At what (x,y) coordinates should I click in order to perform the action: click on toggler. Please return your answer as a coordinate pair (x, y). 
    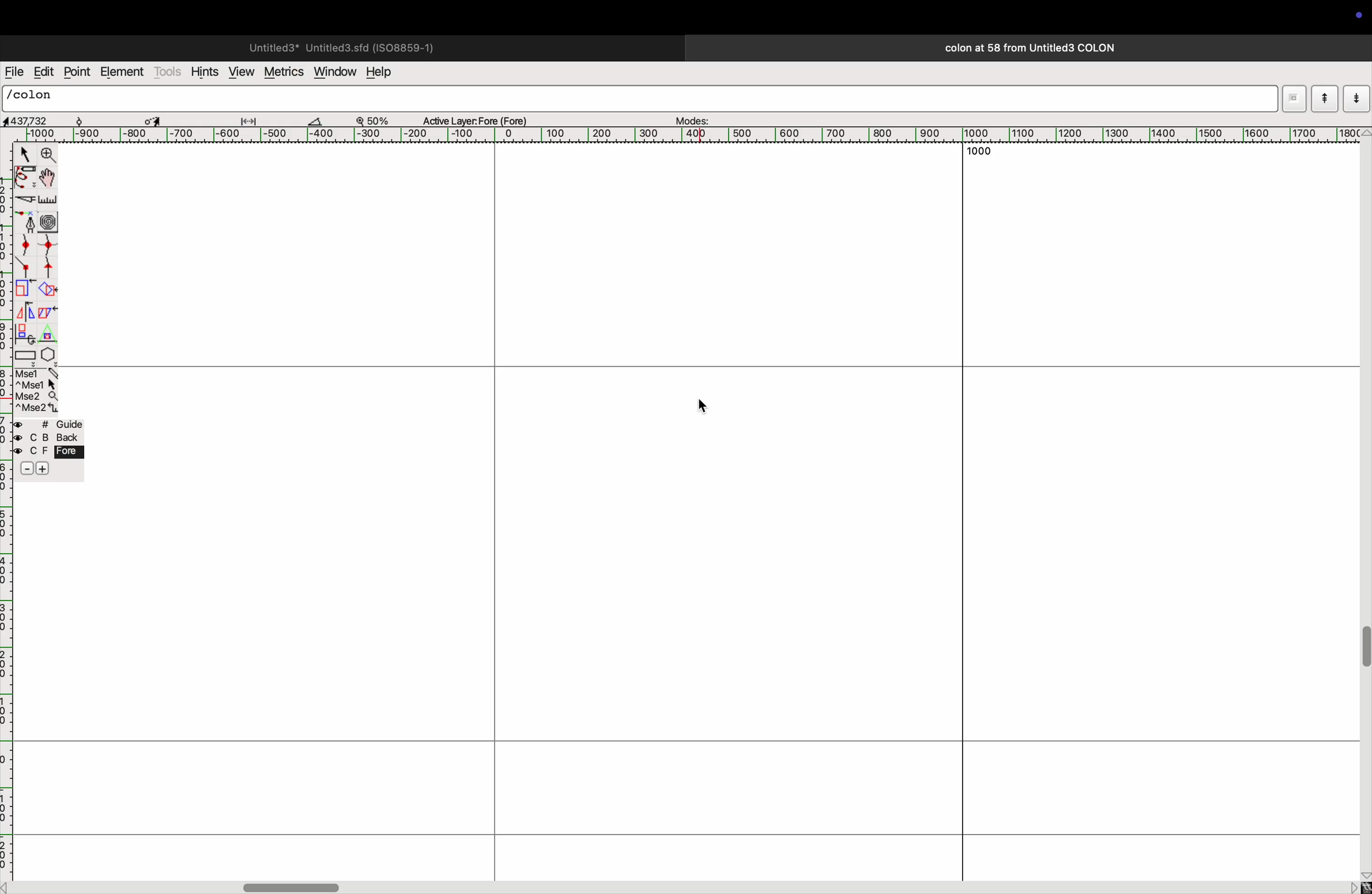
    Looking at the image, I should click on (291, 887).